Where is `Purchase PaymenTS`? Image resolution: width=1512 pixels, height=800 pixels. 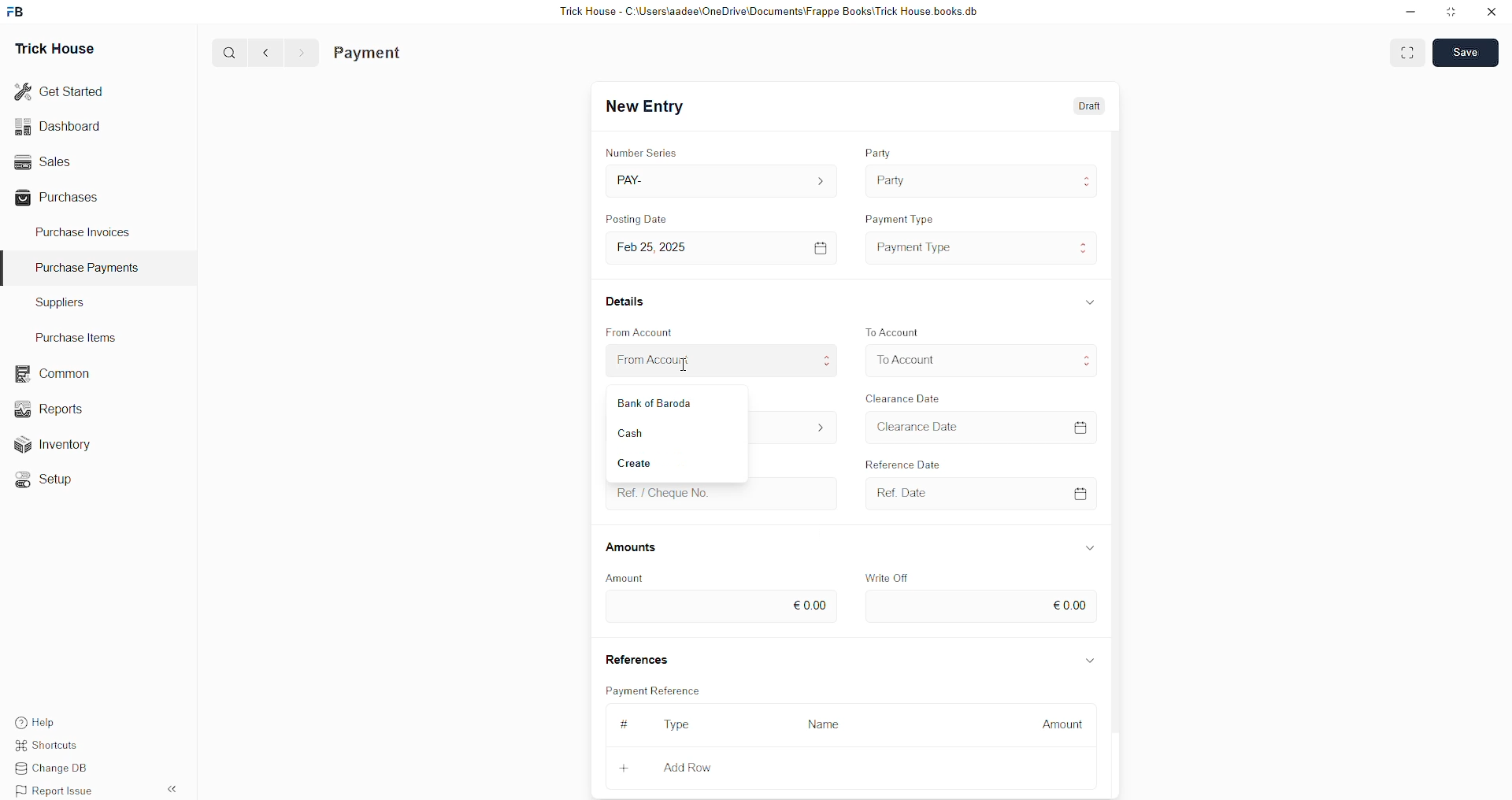 Purchase PaymenTS is located at coordinates (83, 268).